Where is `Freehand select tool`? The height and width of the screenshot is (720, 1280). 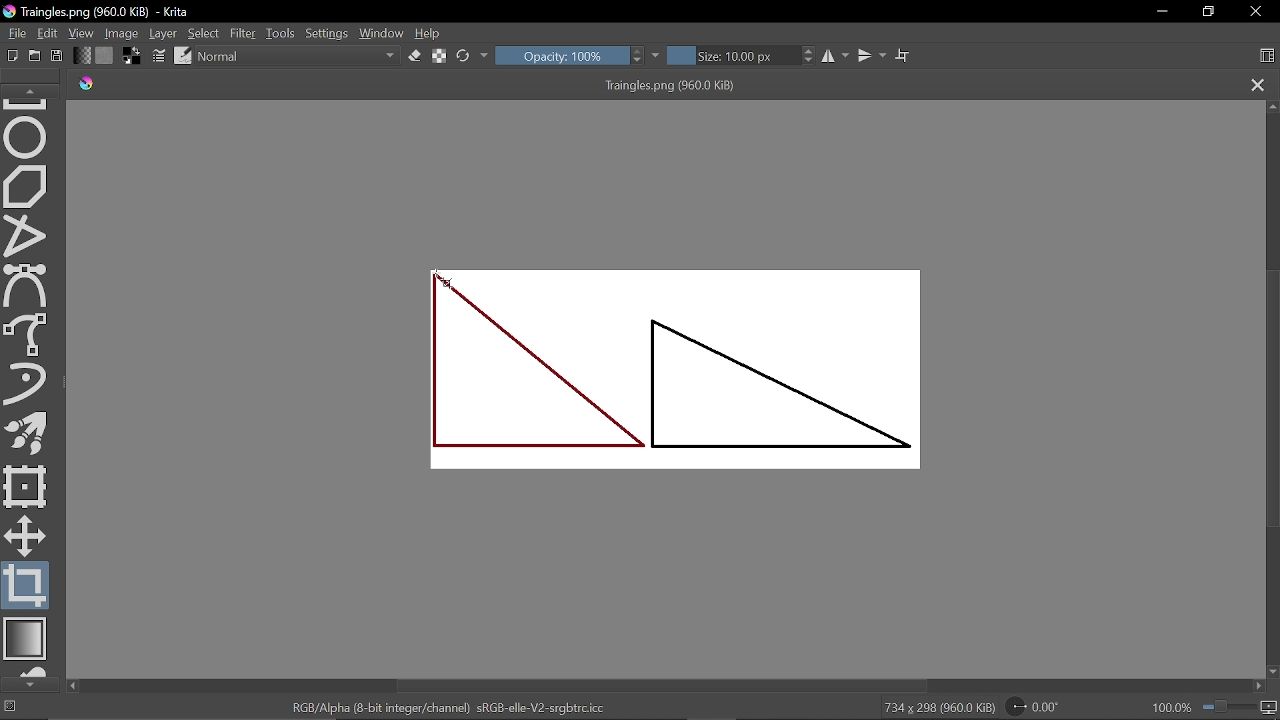
Freehand select tool is located at coordinates (28, 333).